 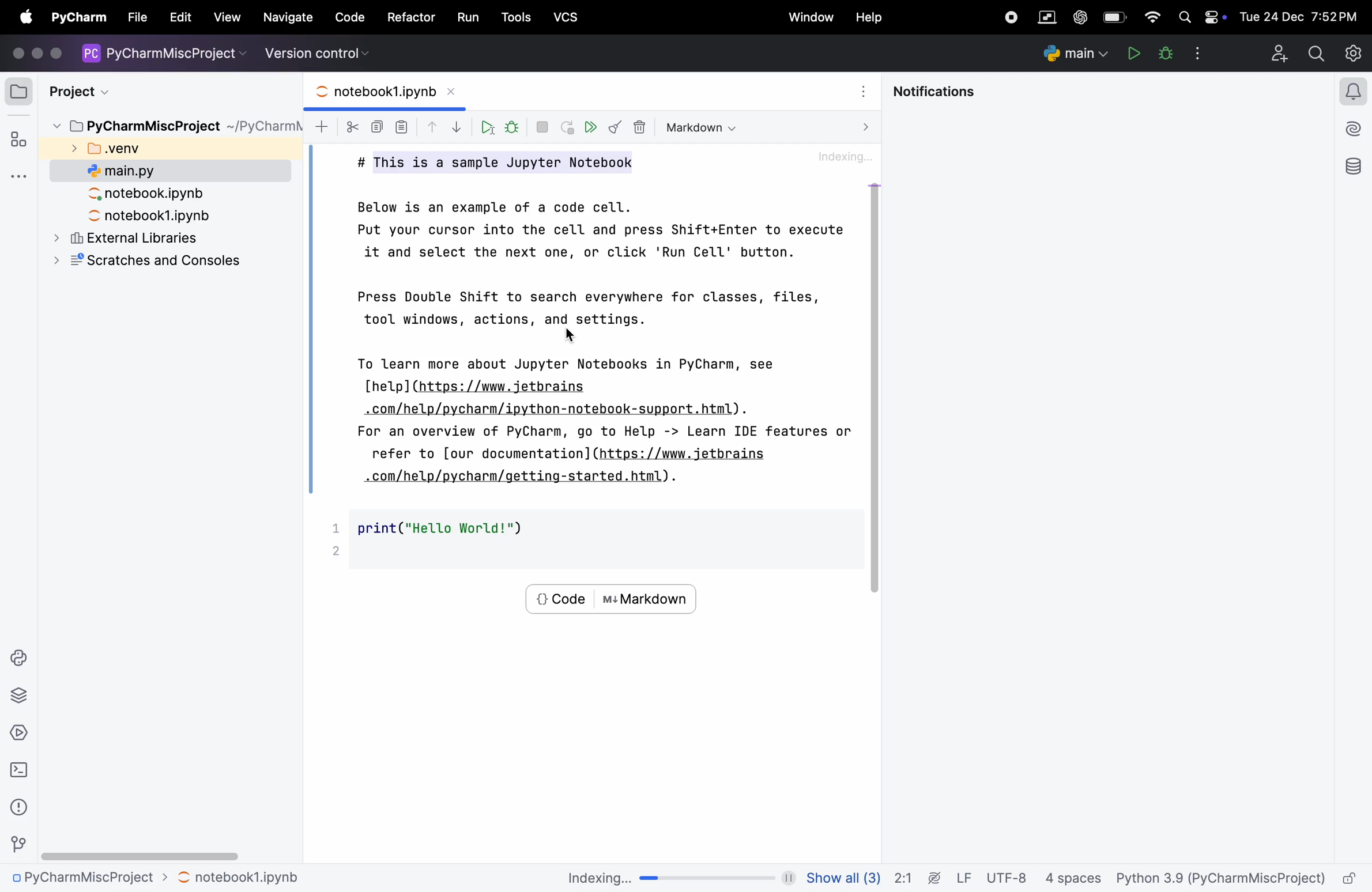 What do you see at coordinates (1080, 17) in the screenshot?
I see `chatgpt` at bounding box center [1080, 17].